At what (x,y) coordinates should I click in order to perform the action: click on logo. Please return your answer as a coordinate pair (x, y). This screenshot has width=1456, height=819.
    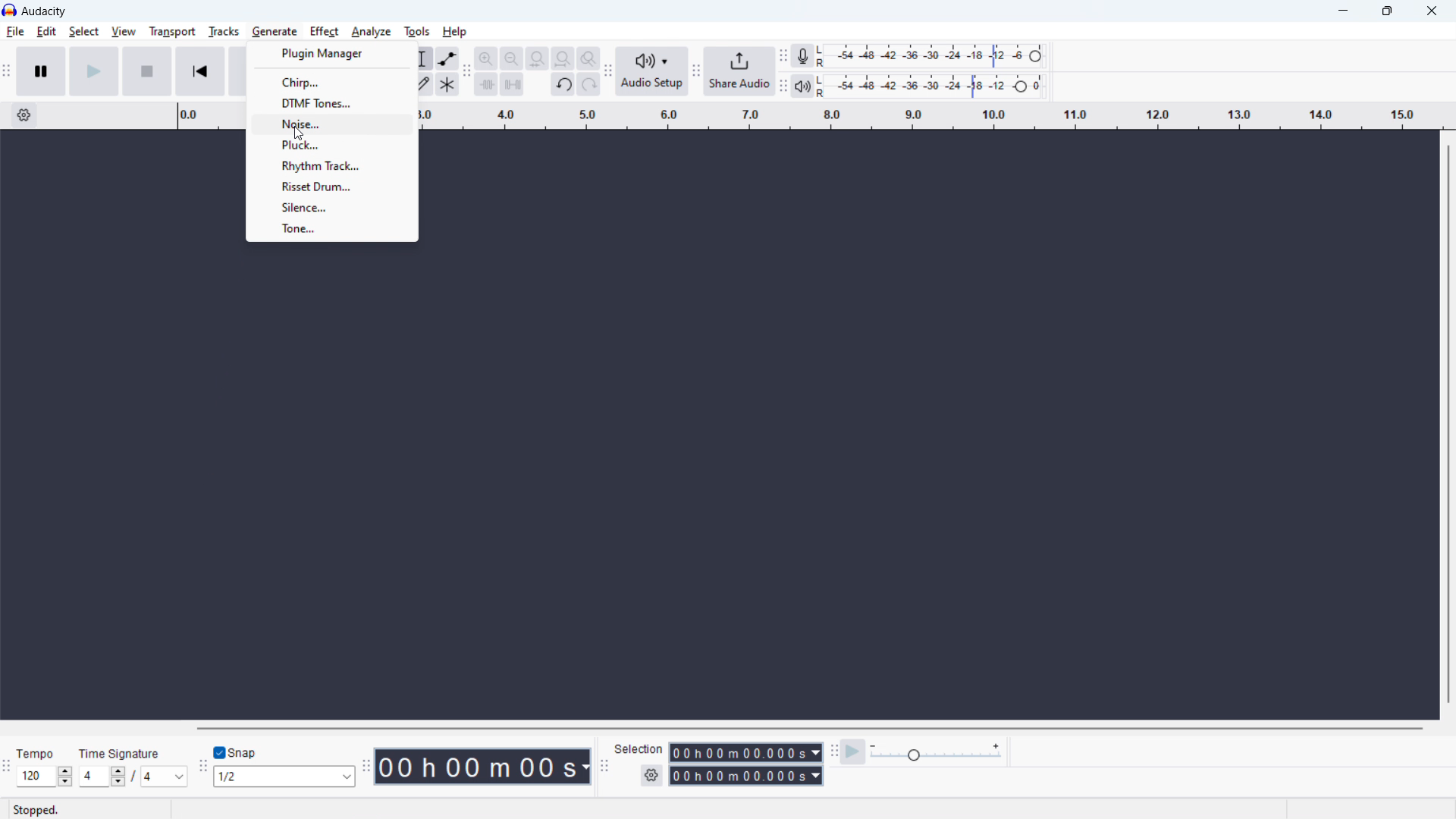
    Looking at the image, I should click on (9, 11).